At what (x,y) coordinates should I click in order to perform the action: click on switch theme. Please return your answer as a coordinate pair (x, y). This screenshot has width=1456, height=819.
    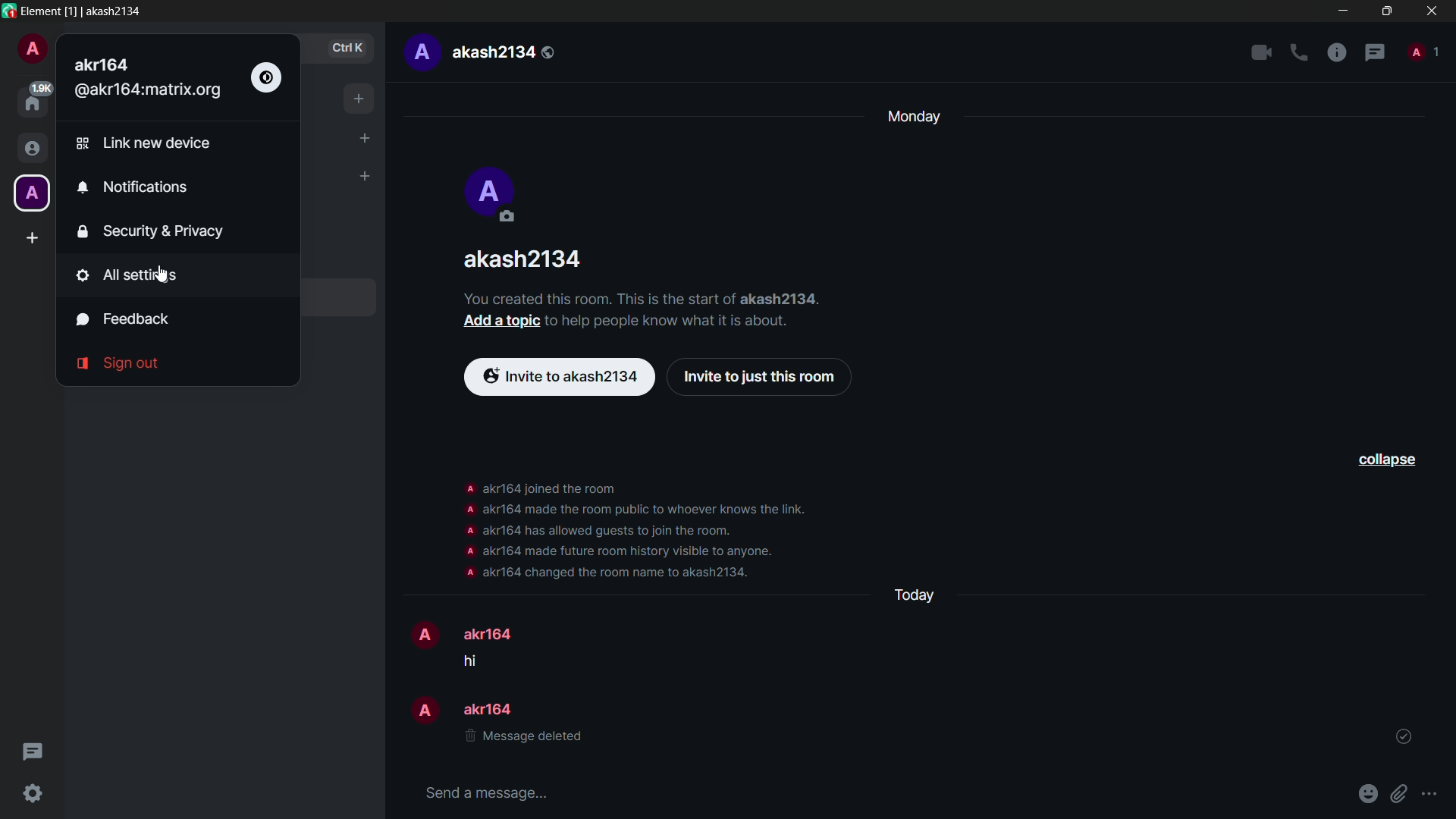
    Looking at the image, I should click on (266, 79).